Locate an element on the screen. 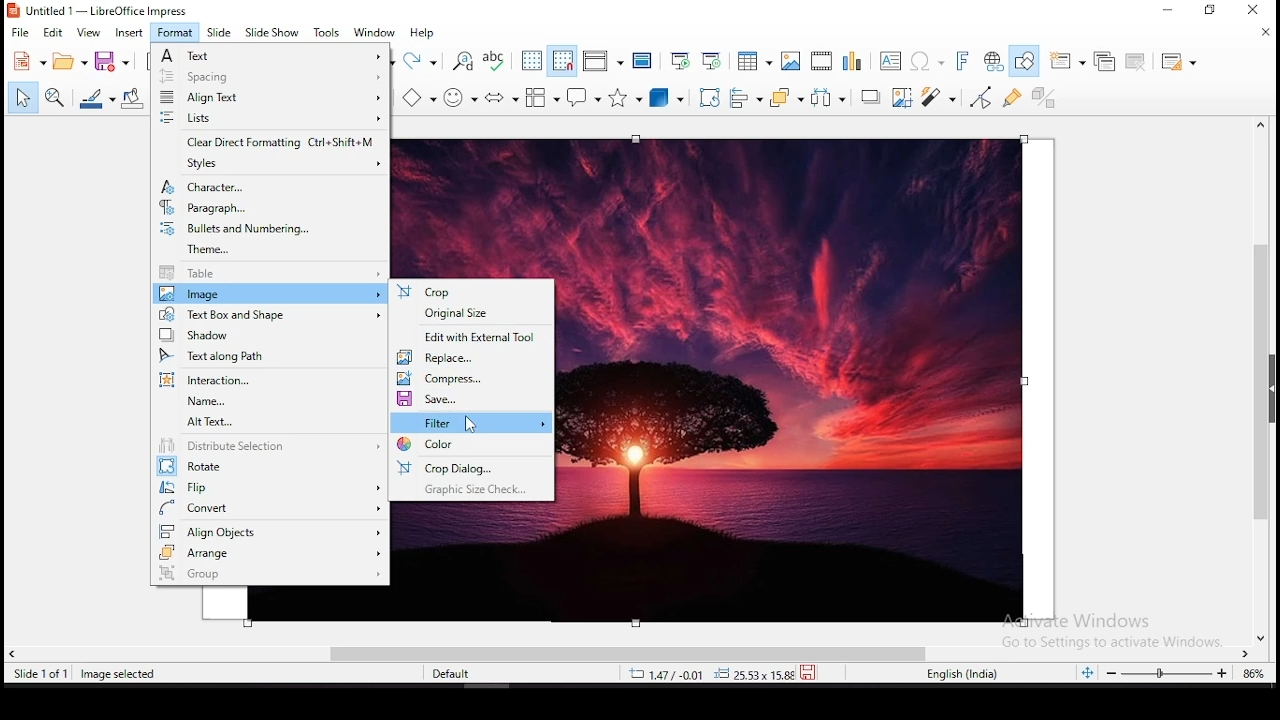 The width and height of the screenshot is (1280, 720). close is located at coordinates (1264, 32).